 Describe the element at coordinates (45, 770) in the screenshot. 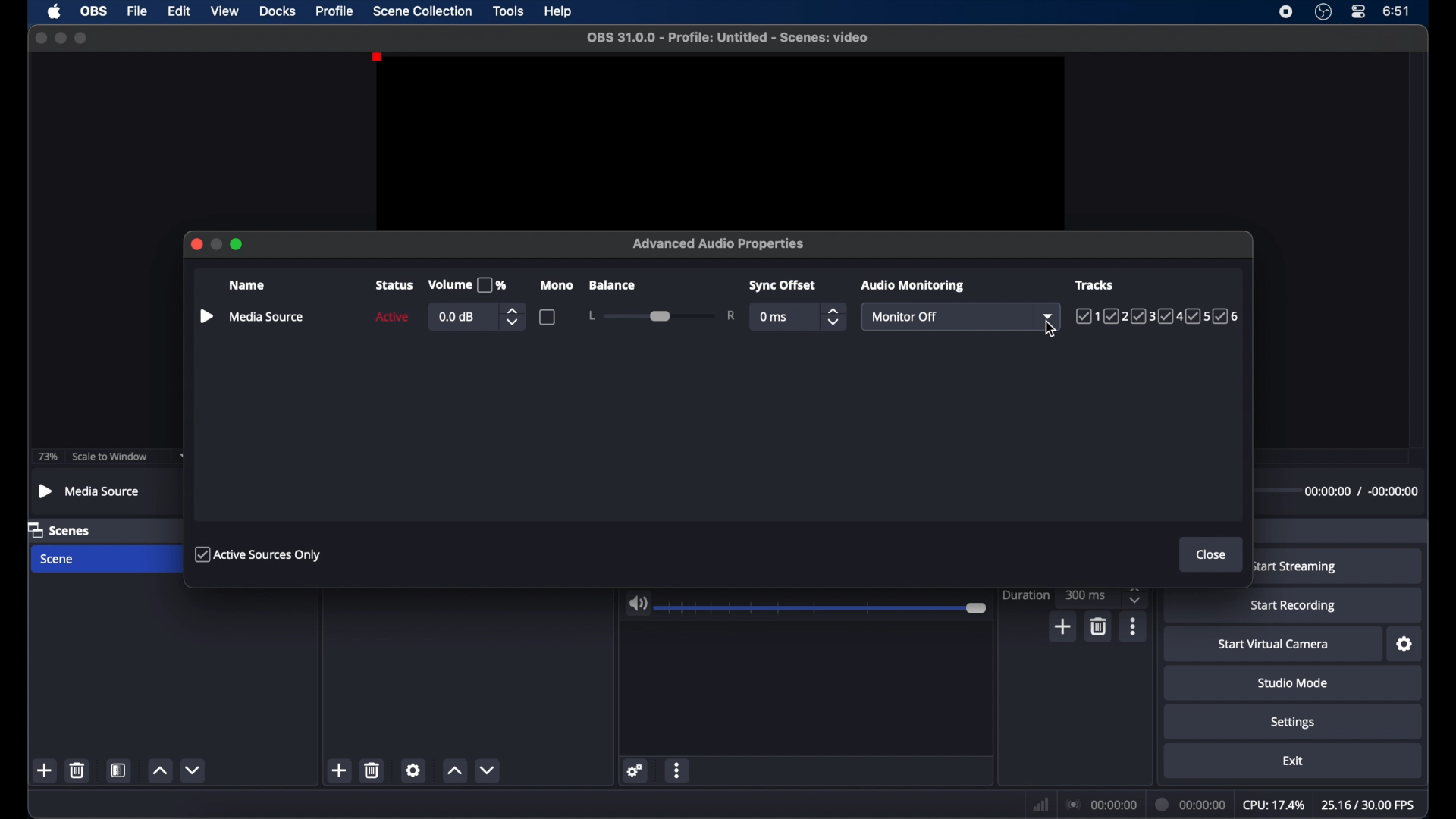

I see `add` at that location.